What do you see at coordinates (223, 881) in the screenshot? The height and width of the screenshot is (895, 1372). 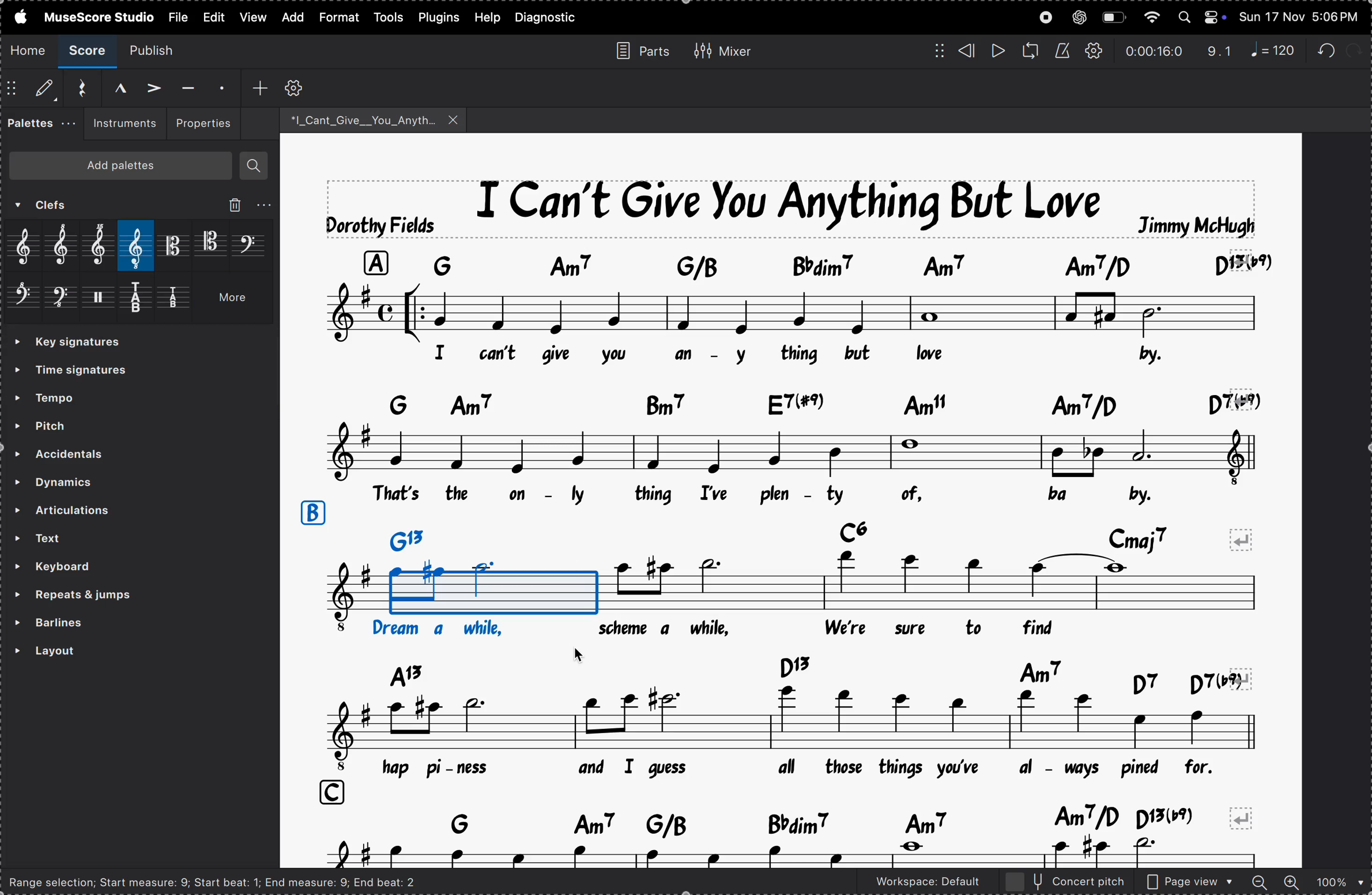 I see `Range selection; Start measure: 9; Start beat: 1; End measure: 9; End beat: 2` at bounding box center [223, 881].